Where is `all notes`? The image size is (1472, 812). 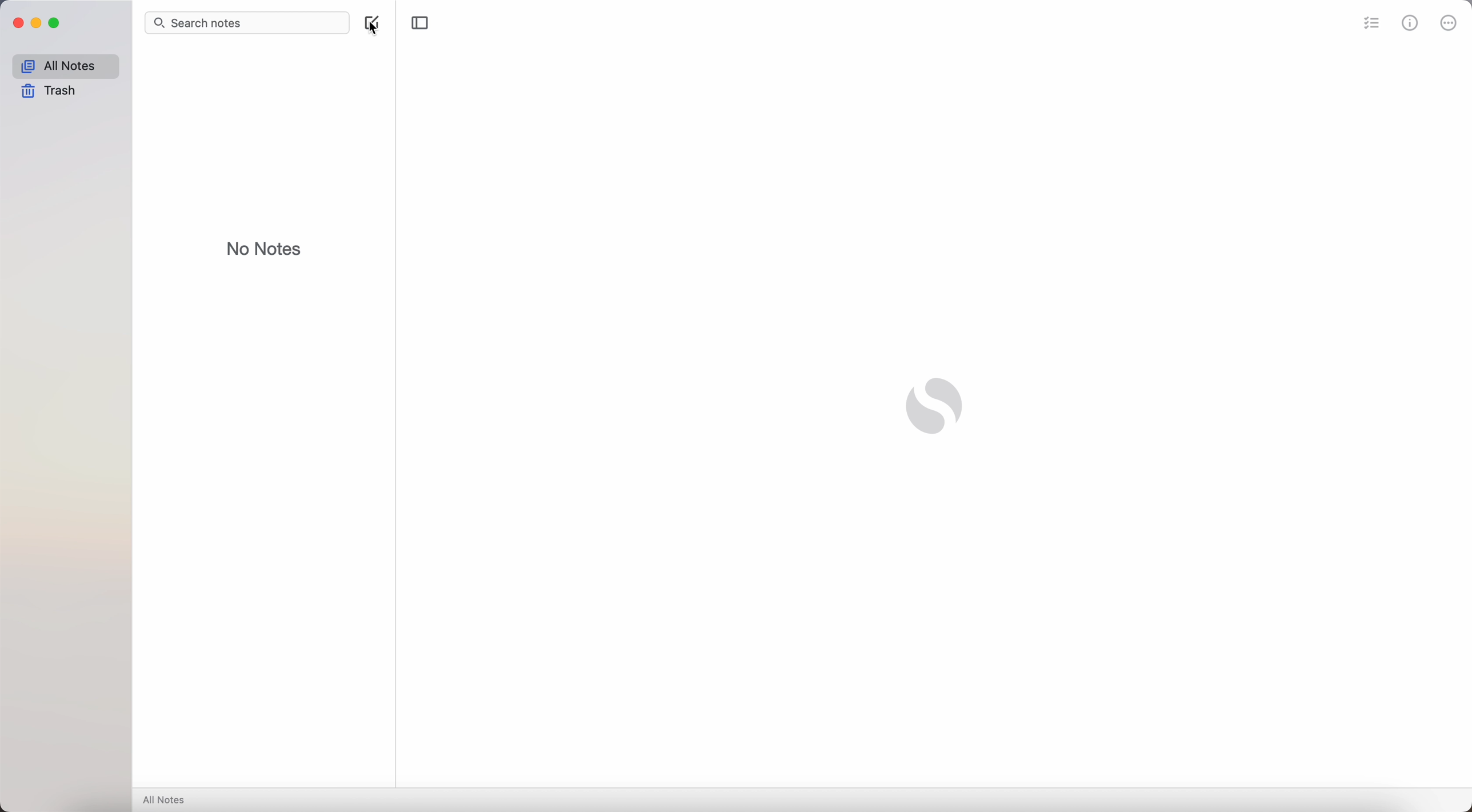
all notes is located at coordinates (67, 65).